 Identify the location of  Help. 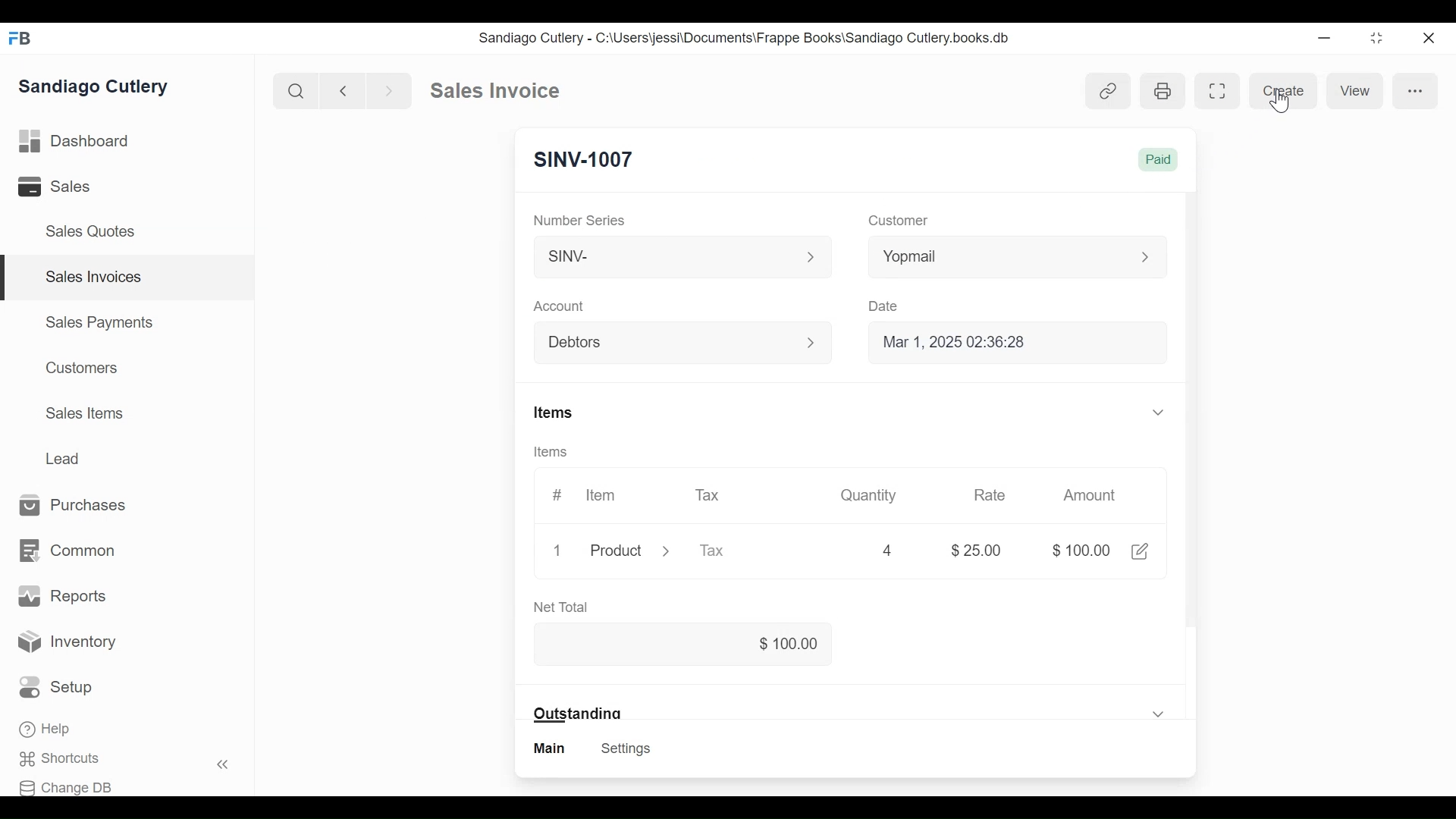
(45, 729).